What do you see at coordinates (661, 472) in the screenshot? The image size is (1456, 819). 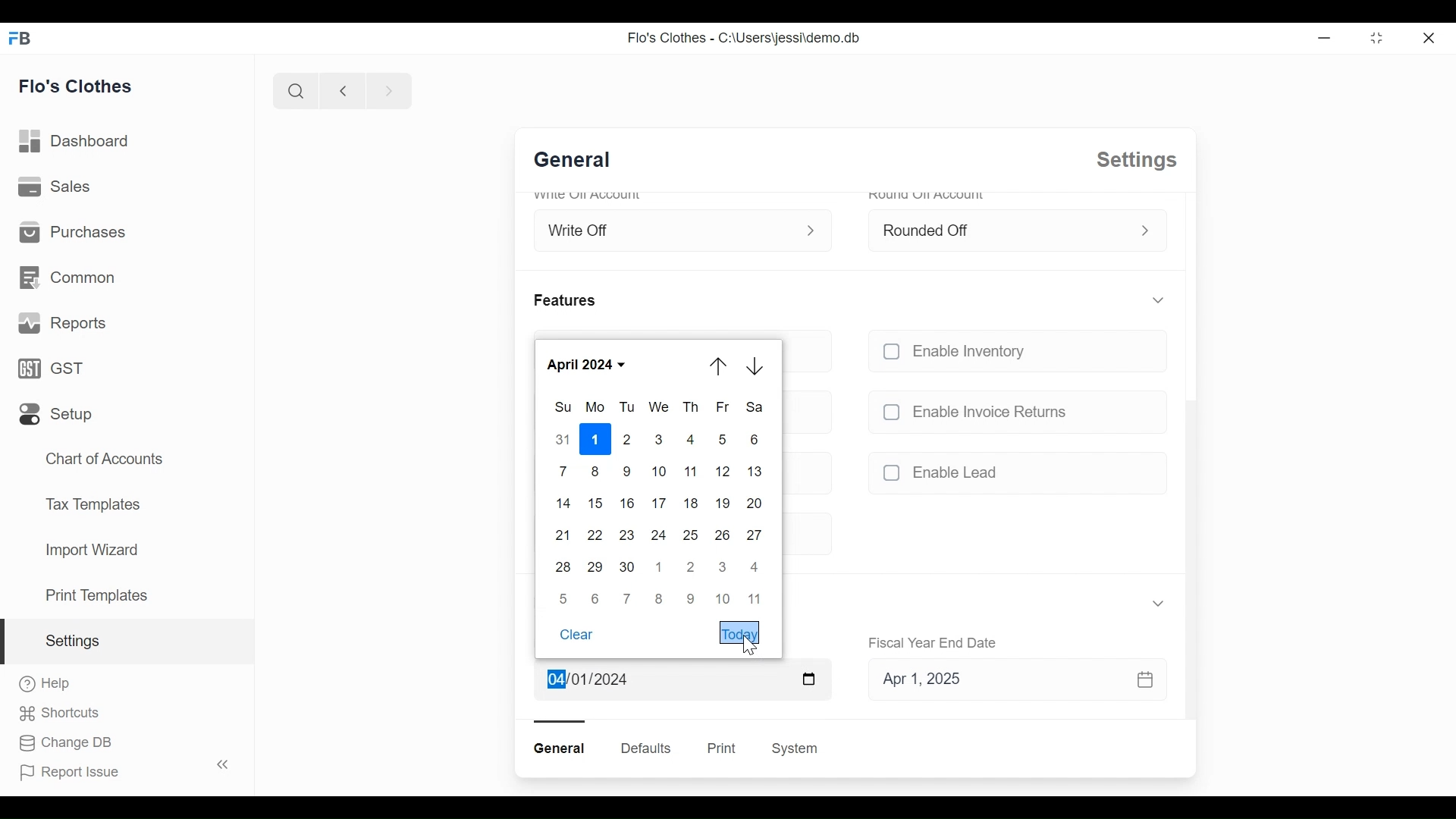 I see `10` at bounding box center [661, 472].